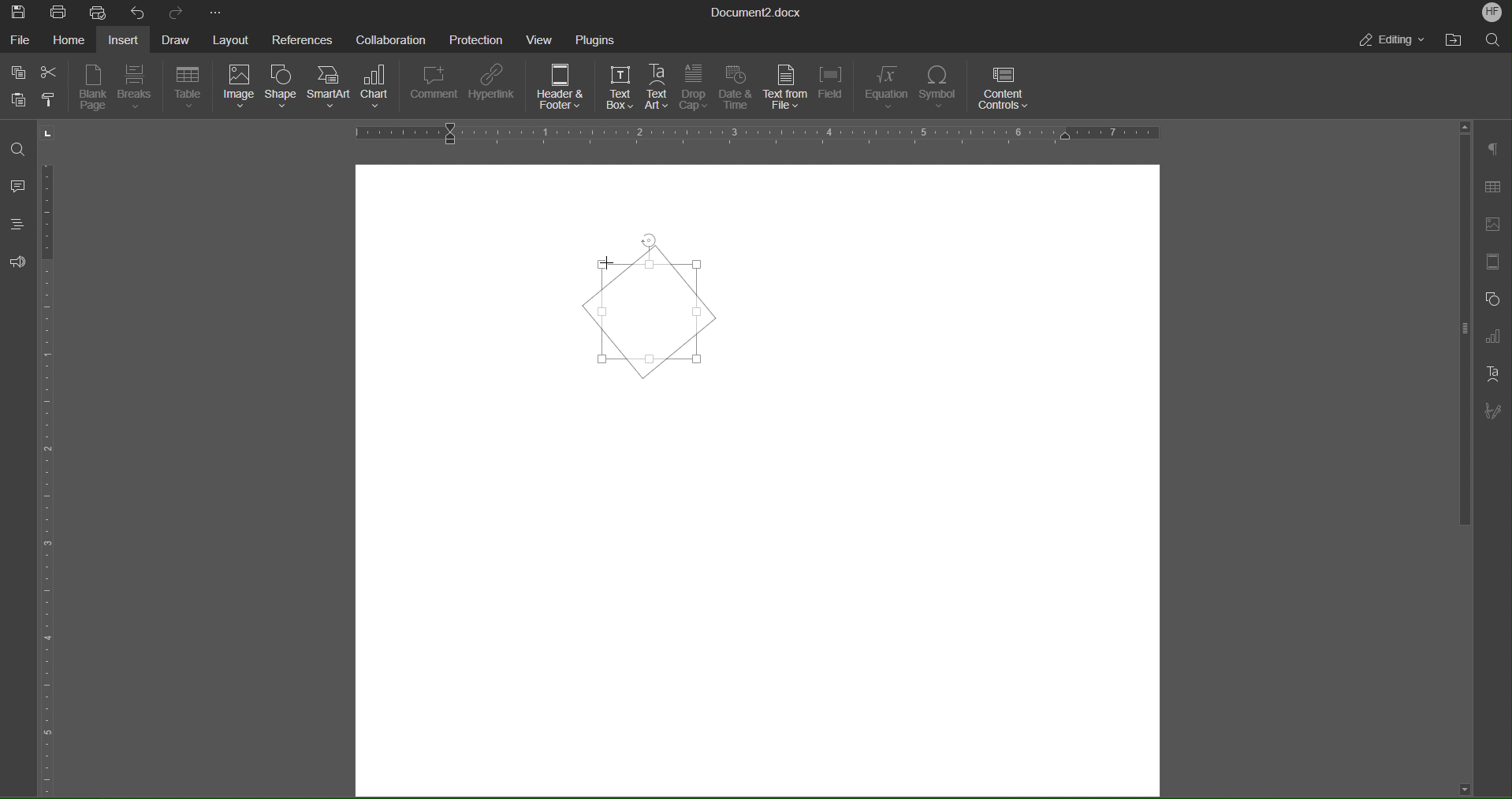 Image resolution: width=1512 pixels, height=799 pixels. Describe the element at coordinates (434, 88) in the screenshot. I see `Comment` at that location.